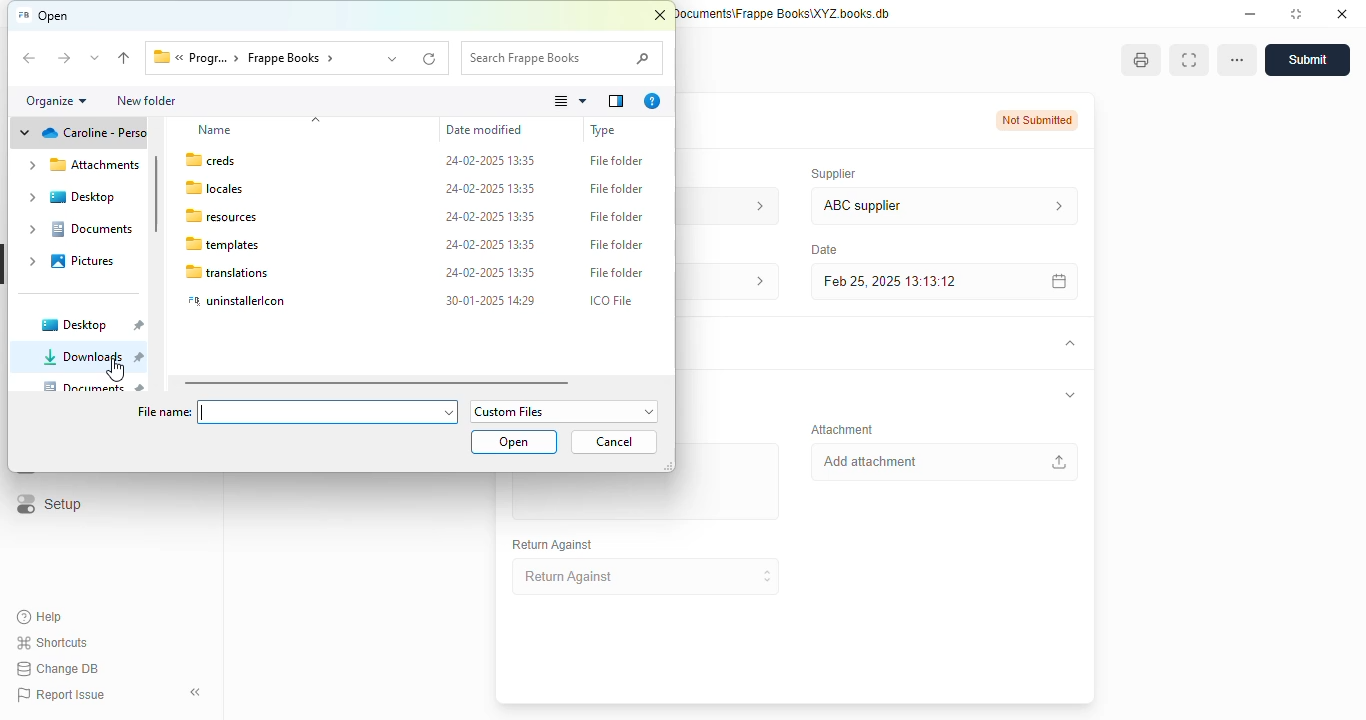 Image resolution: width=1366 pixels, height=720 pixels. Describe the element at coordinates (71, 261) in the screenshot. I see `pictures ` at that location.